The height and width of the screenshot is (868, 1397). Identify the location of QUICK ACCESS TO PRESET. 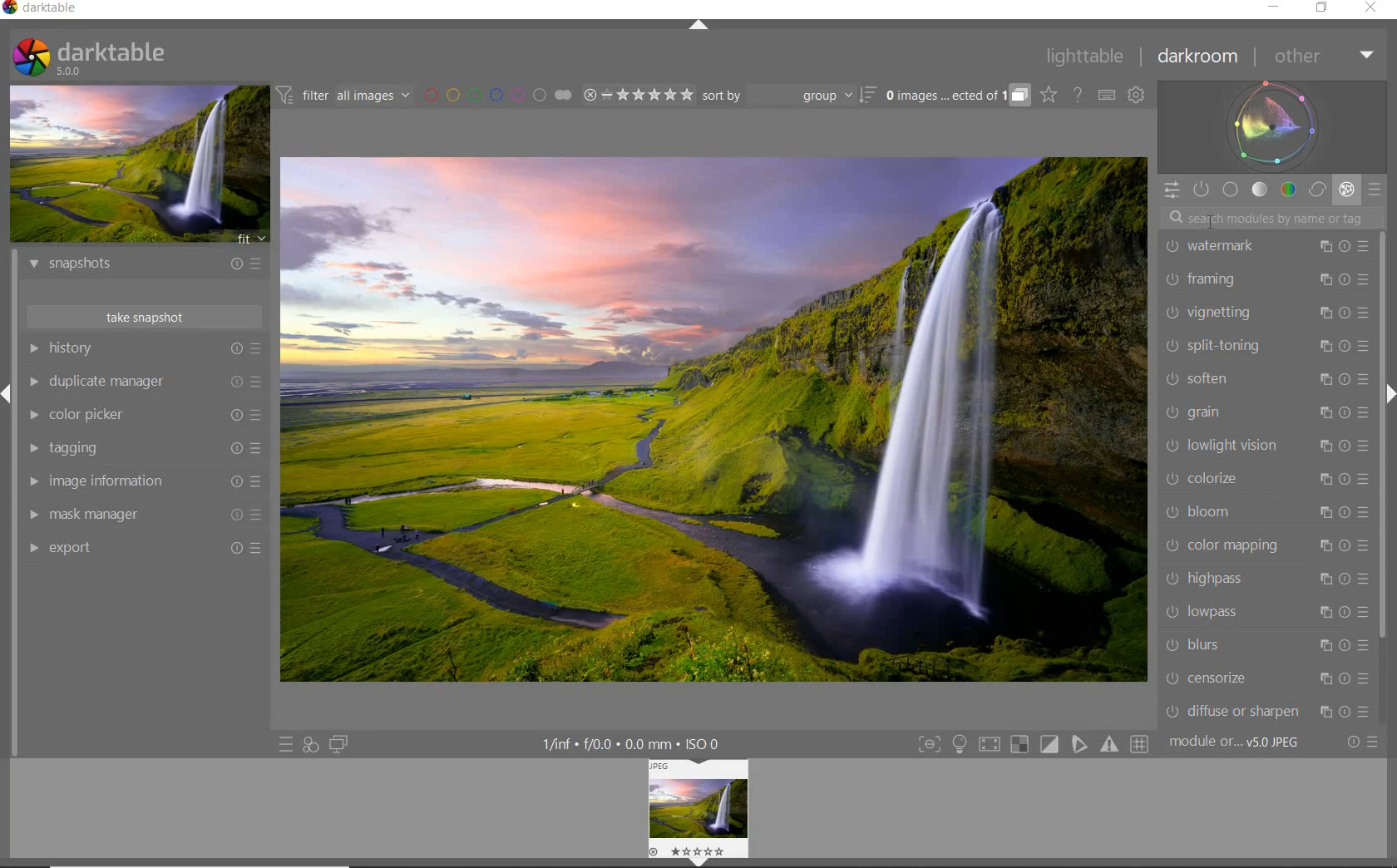
(285, 743).